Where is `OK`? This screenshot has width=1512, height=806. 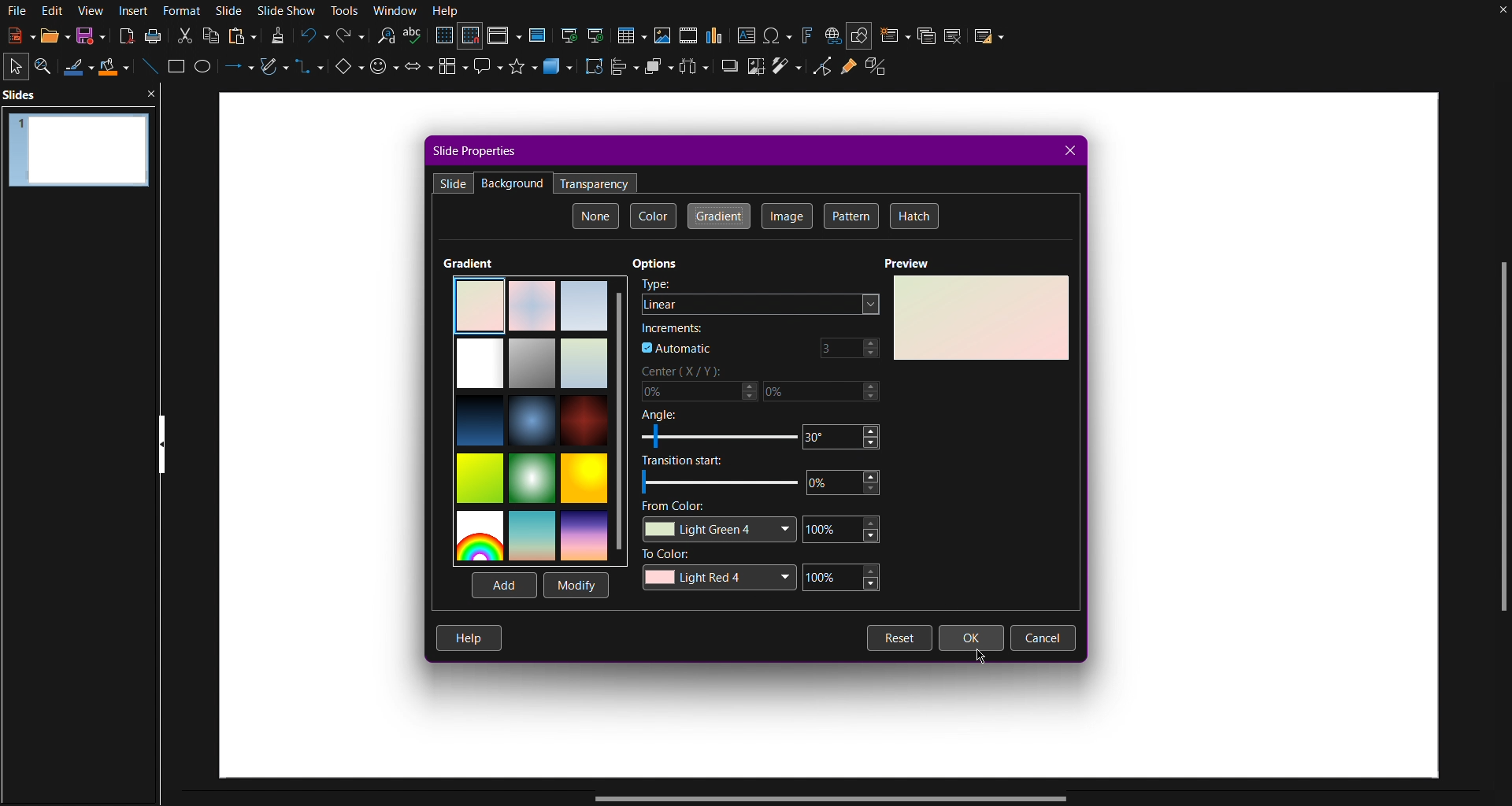
OK is located at coordinates (972, 638).